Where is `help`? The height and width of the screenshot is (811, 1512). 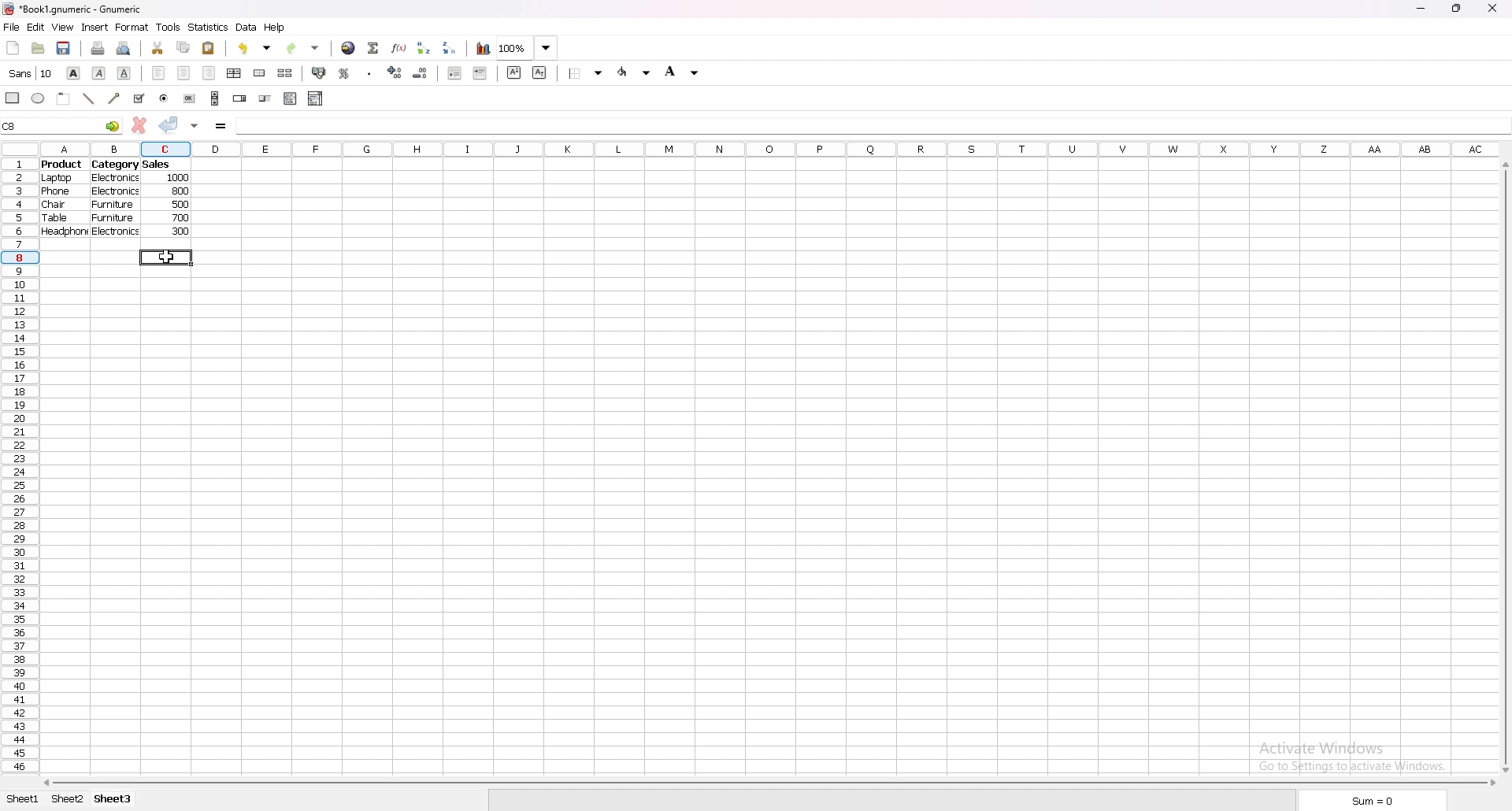
help is located at coordinates (274, 27).